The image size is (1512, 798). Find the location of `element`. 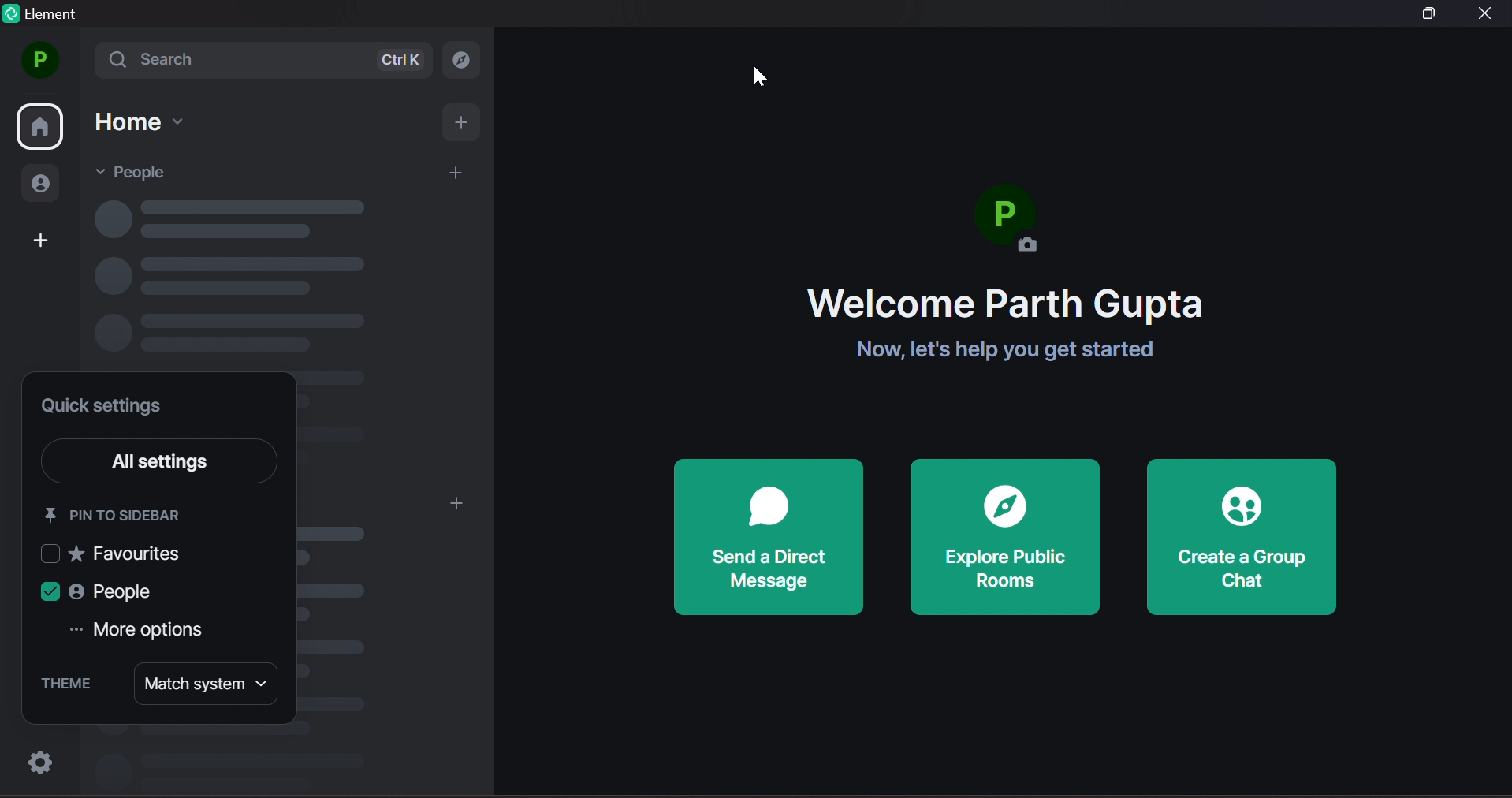

element is located at coordinates (46, 17).